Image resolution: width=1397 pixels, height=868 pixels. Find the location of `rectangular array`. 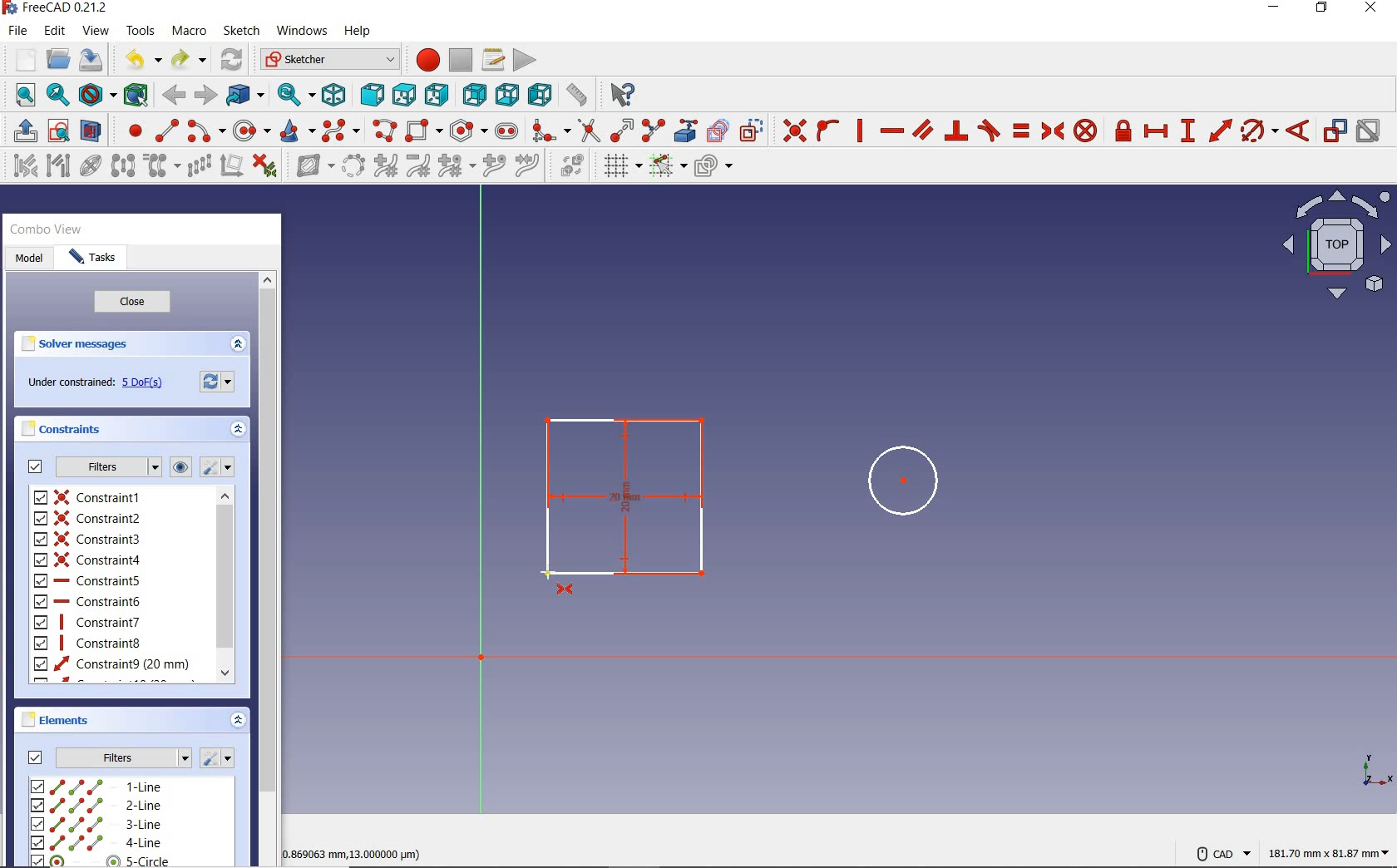

rectangular array is located at coordinates (200, 167).